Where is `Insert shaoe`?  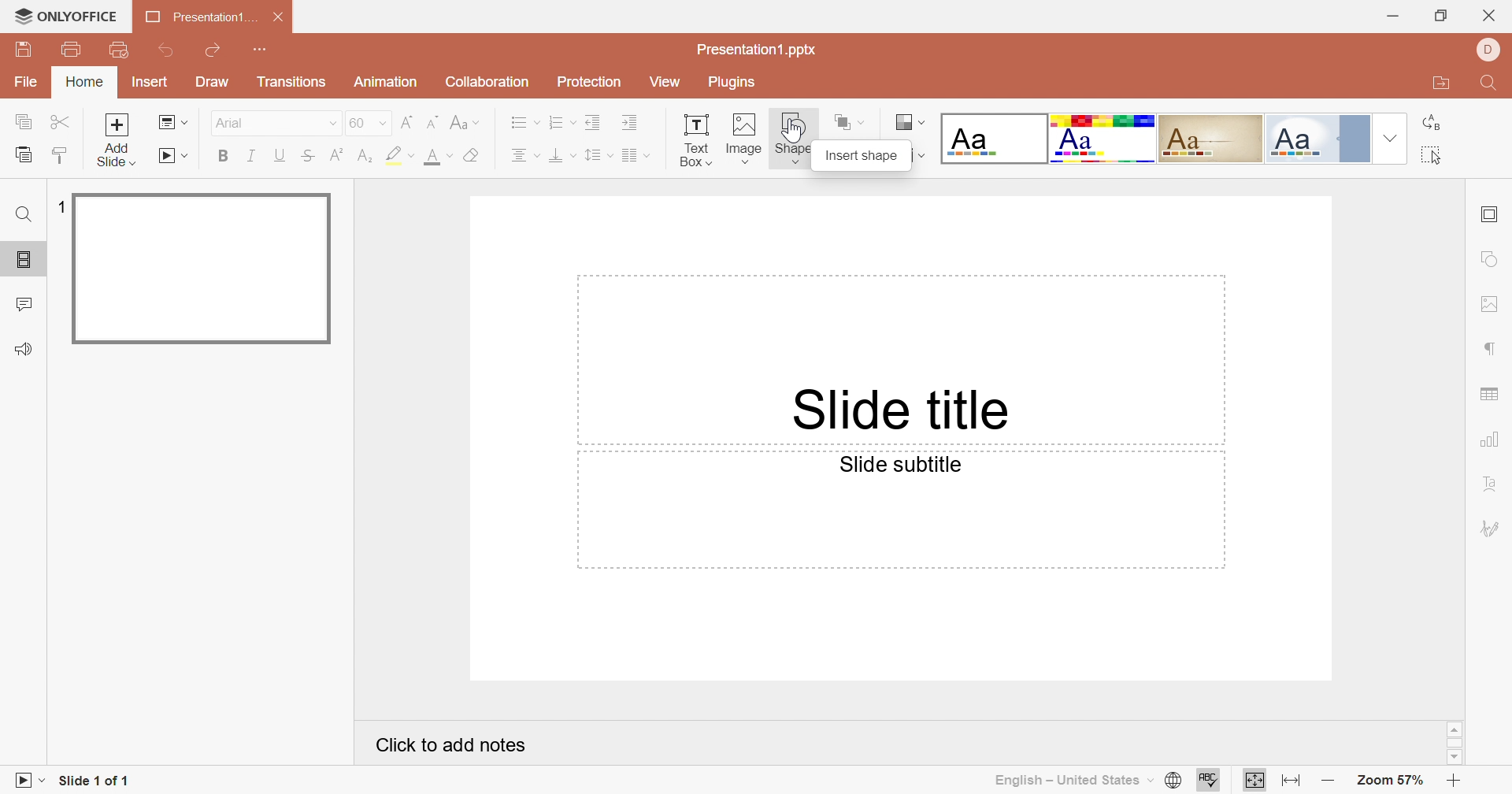
Insert shaoe is located at coordinates (864, 154).